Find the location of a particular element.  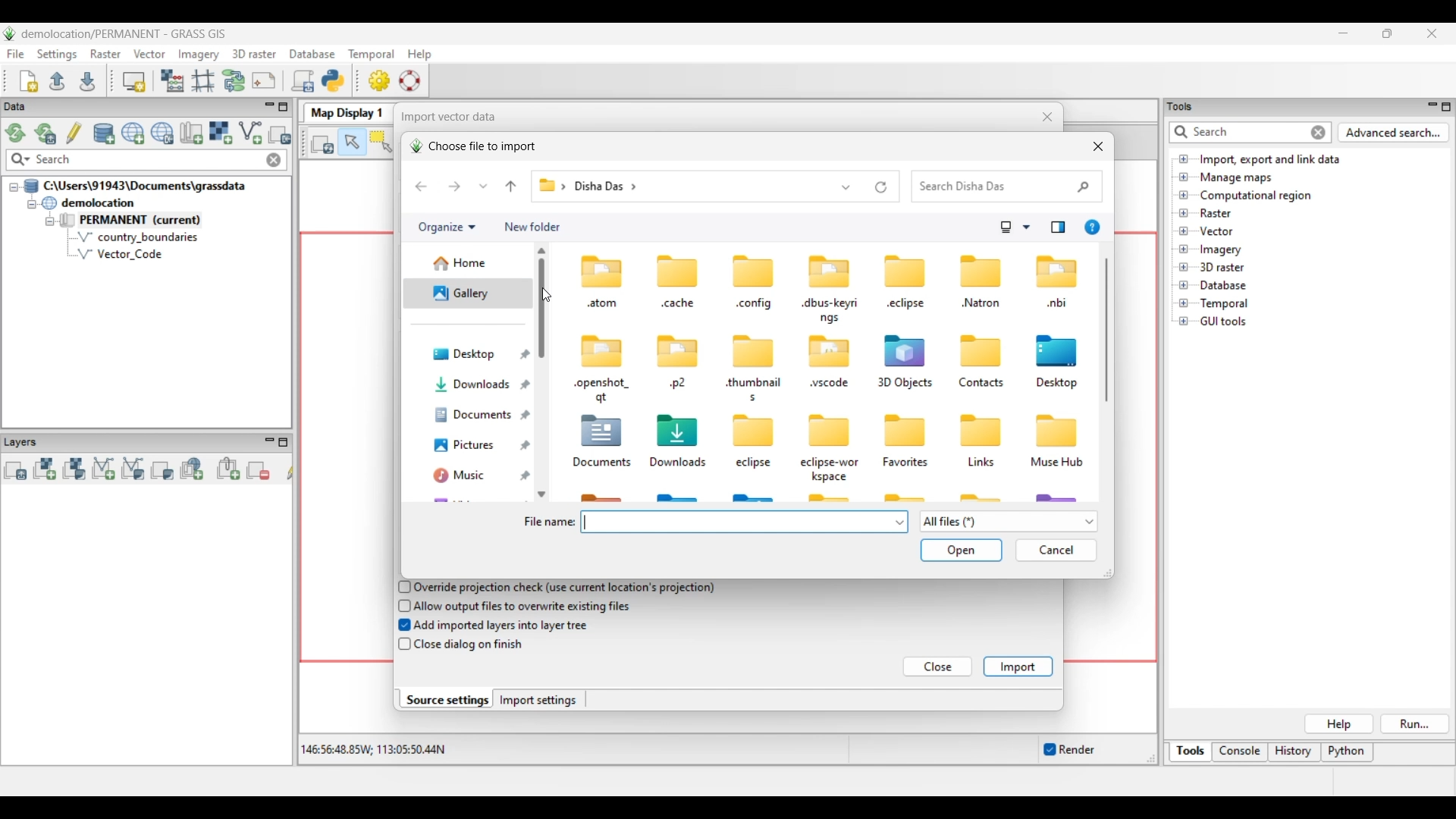

Add web service layer is located at coordinates (192, 469).